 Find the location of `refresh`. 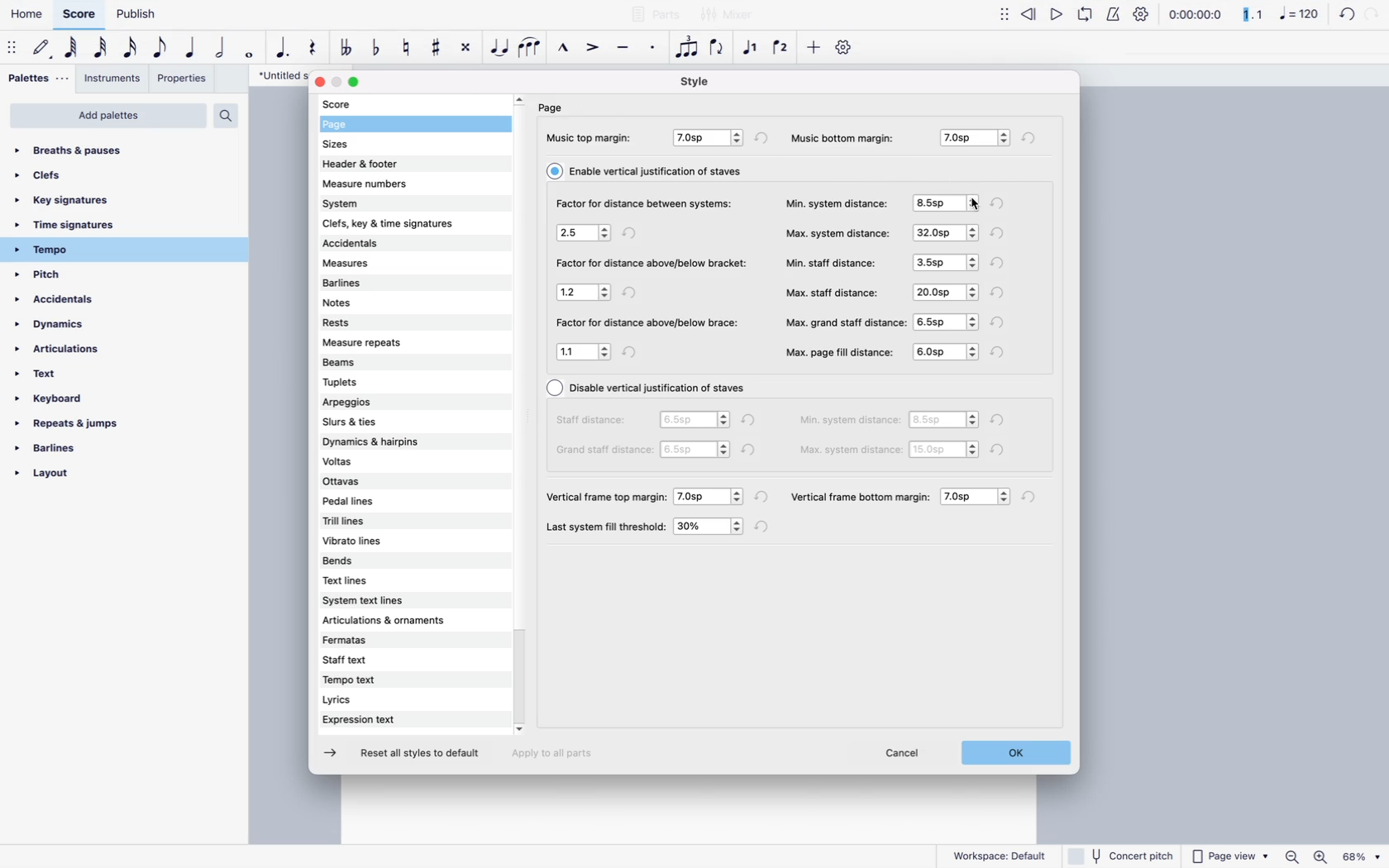

refresh is located at coordinates (1000, 351).